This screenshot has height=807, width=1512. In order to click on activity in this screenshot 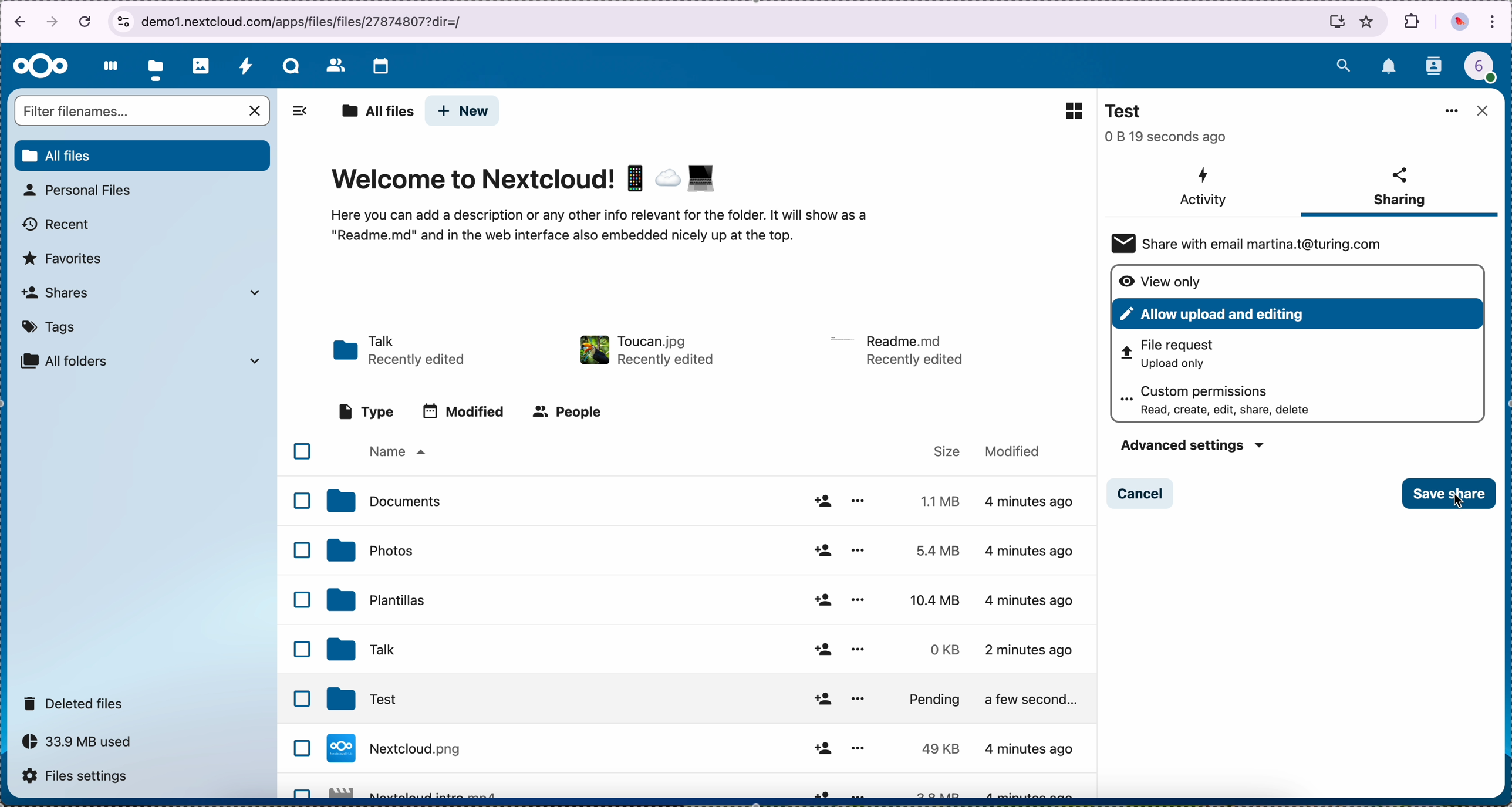, I will do `click(245, 65)`.